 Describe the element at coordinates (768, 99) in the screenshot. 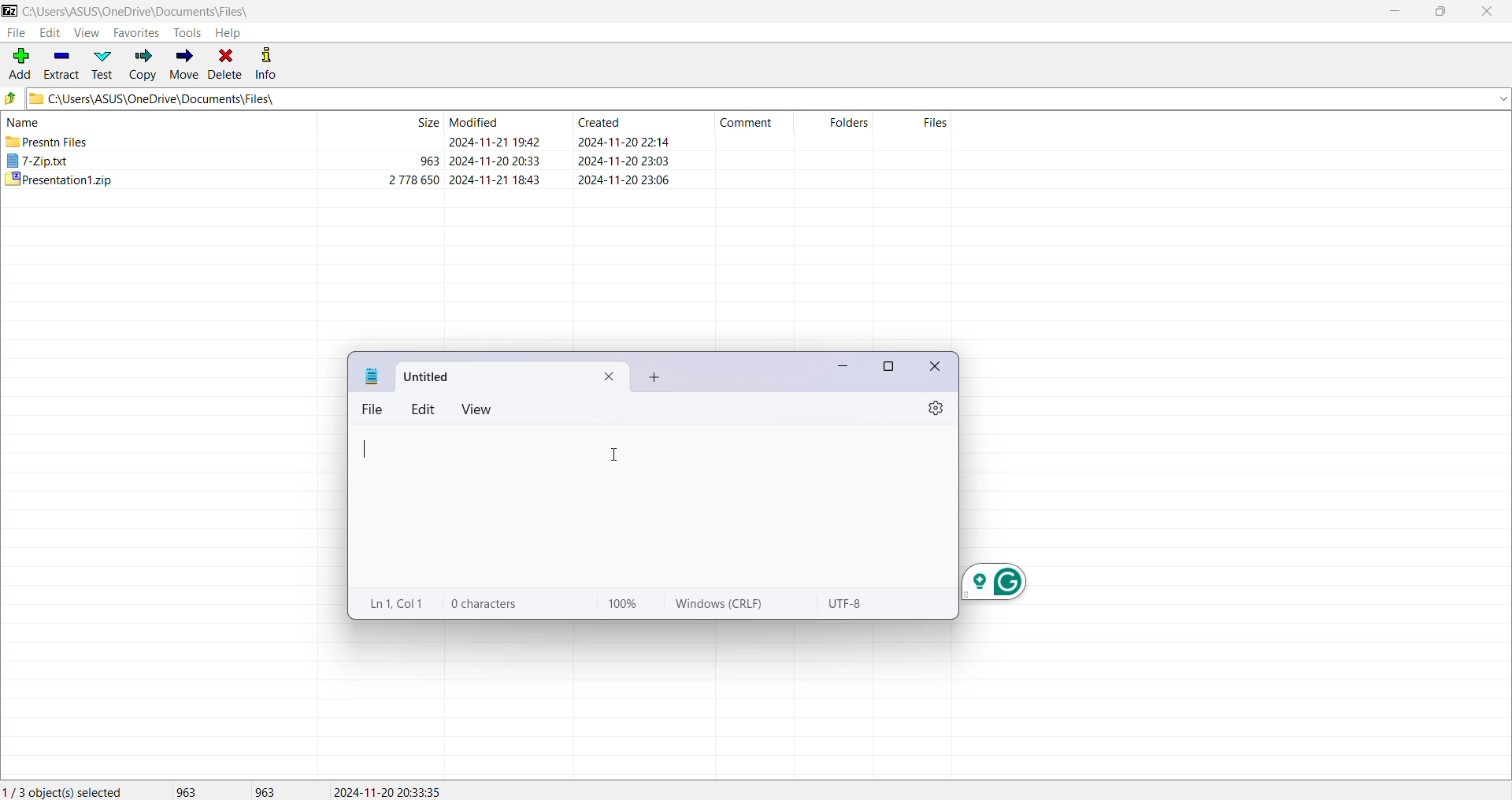

I see `Current Folder Path ` at that location.